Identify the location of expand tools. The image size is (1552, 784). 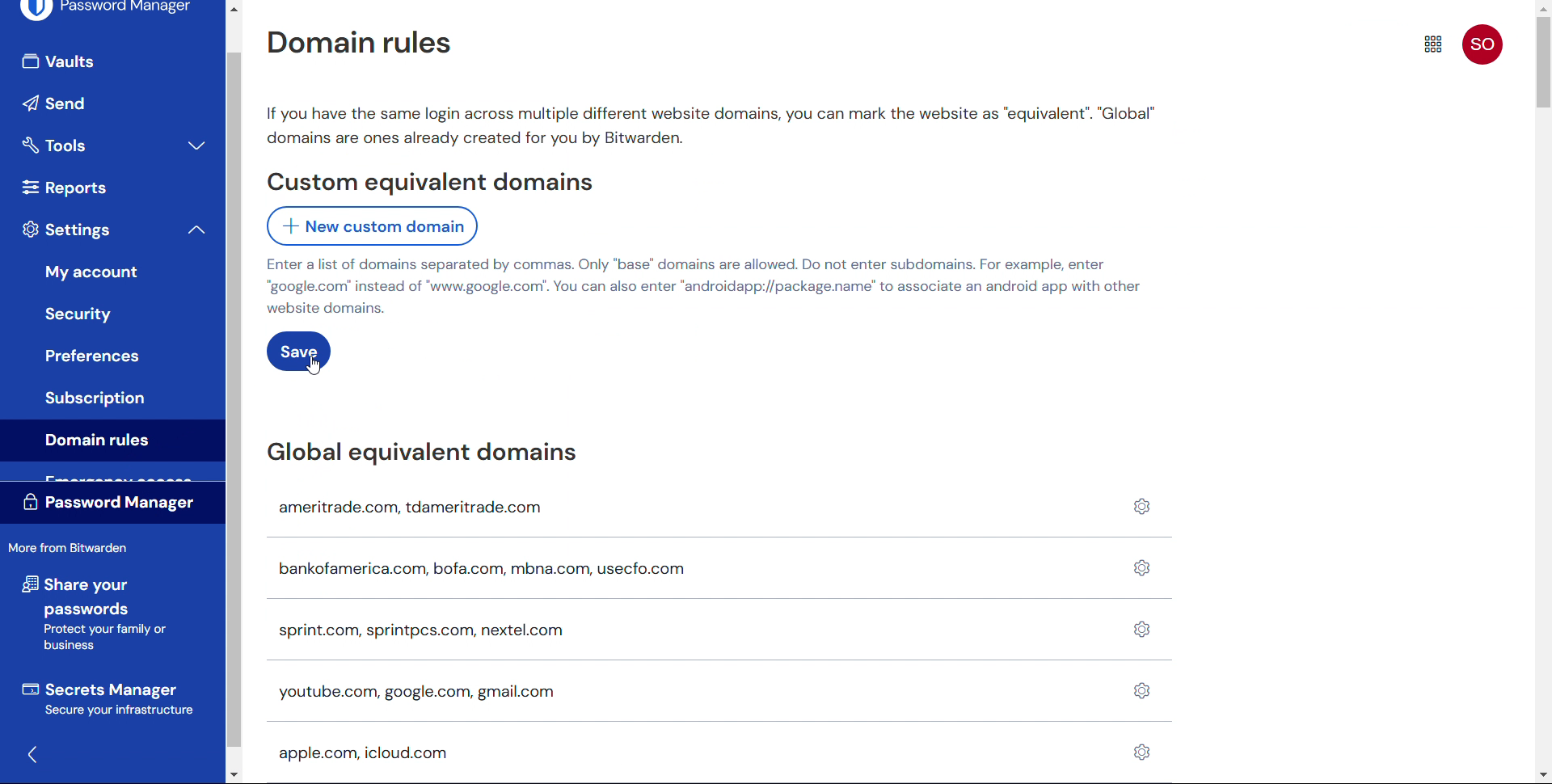
(196, 144).